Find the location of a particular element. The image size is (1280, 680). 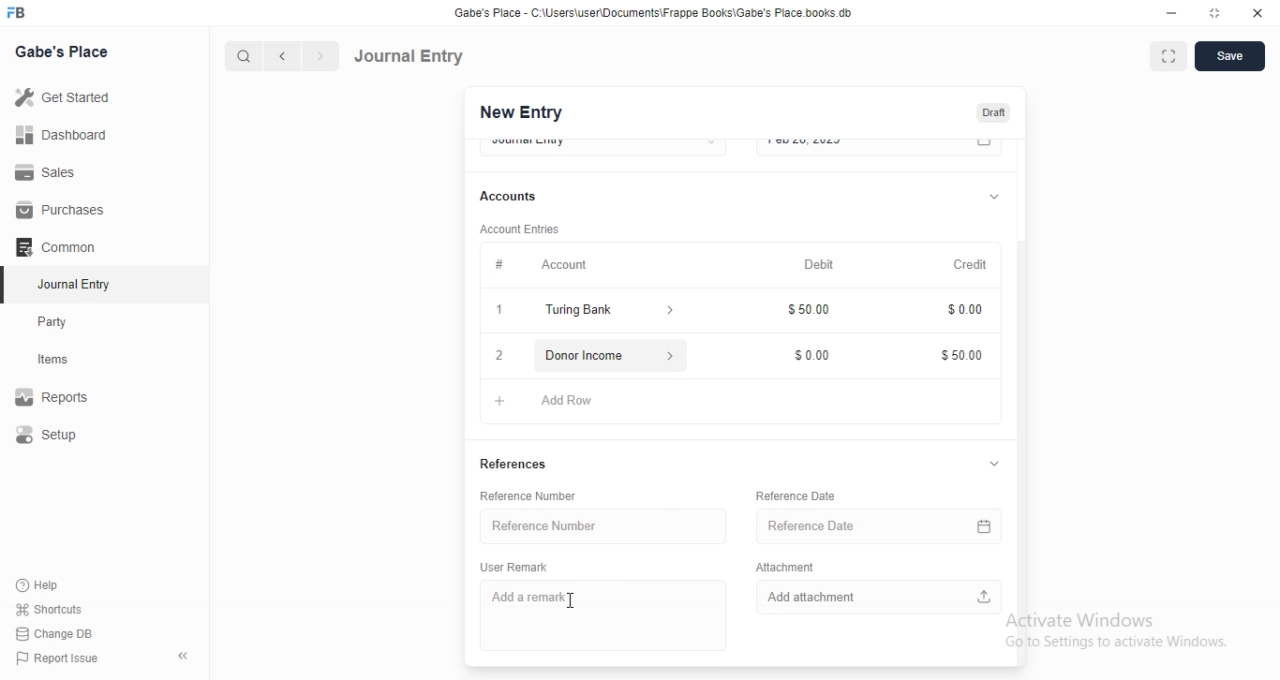

Feb 28, 2025 is located at coordinates (860, 146).